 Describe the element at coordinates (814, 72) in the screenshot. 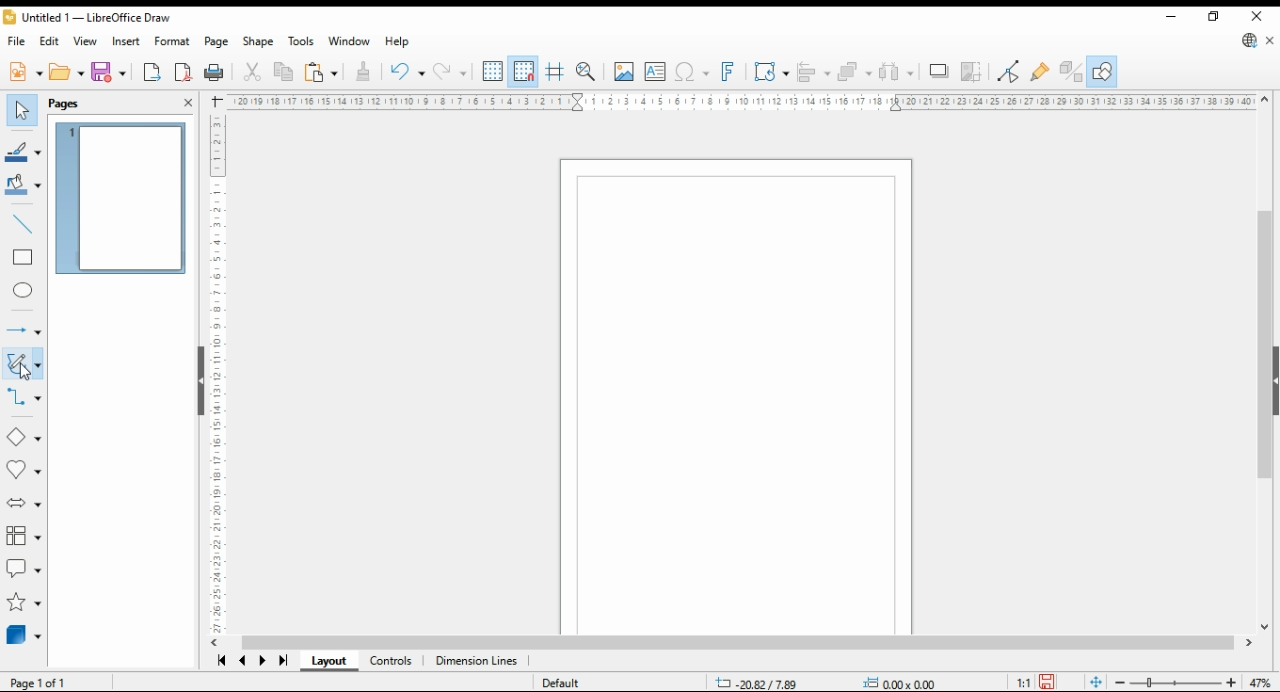

I see `align objects` at that location.